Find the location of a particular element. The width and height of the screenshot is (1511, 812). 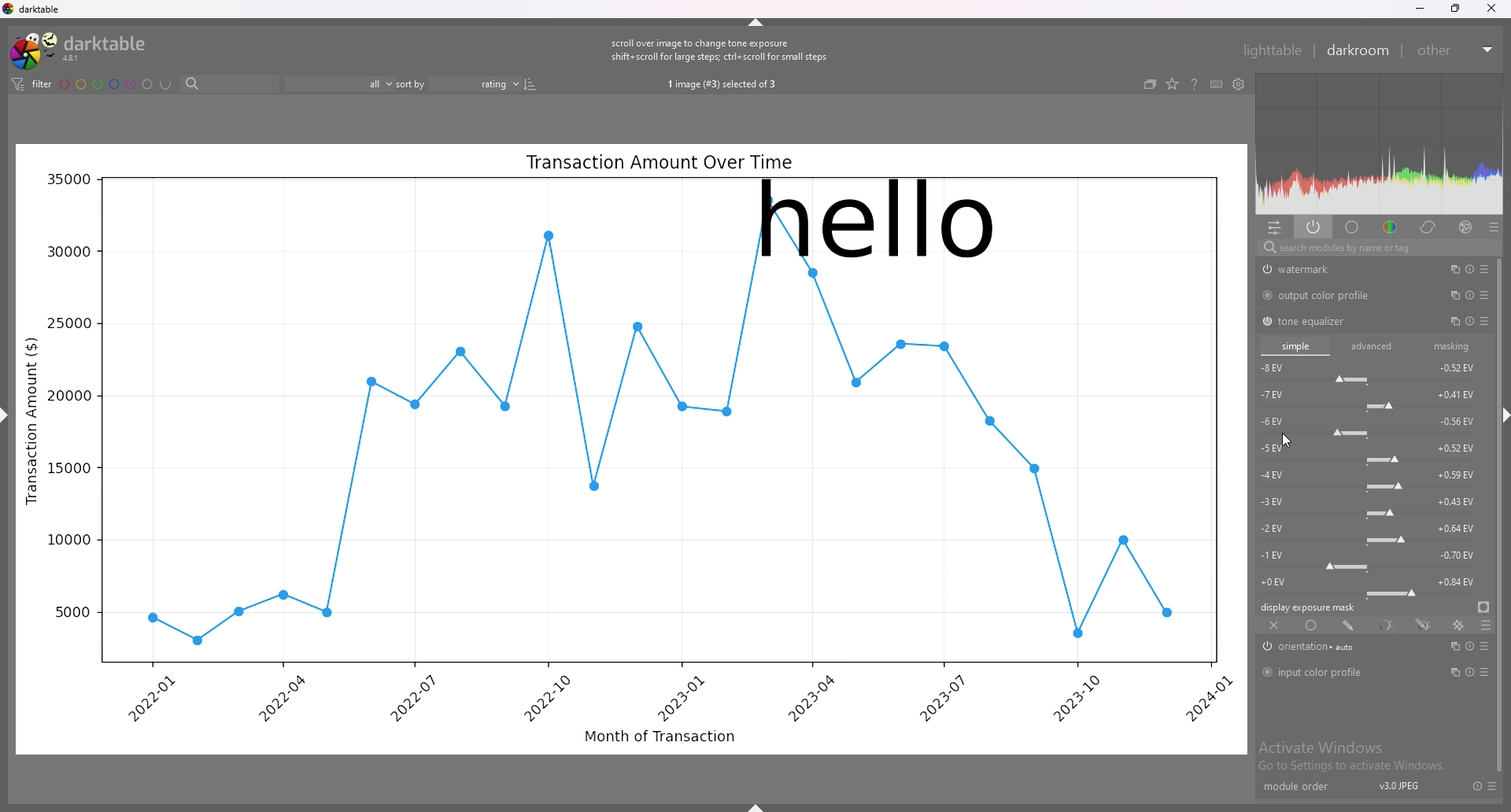

2023-10 is located at coordinates (1084, 699).